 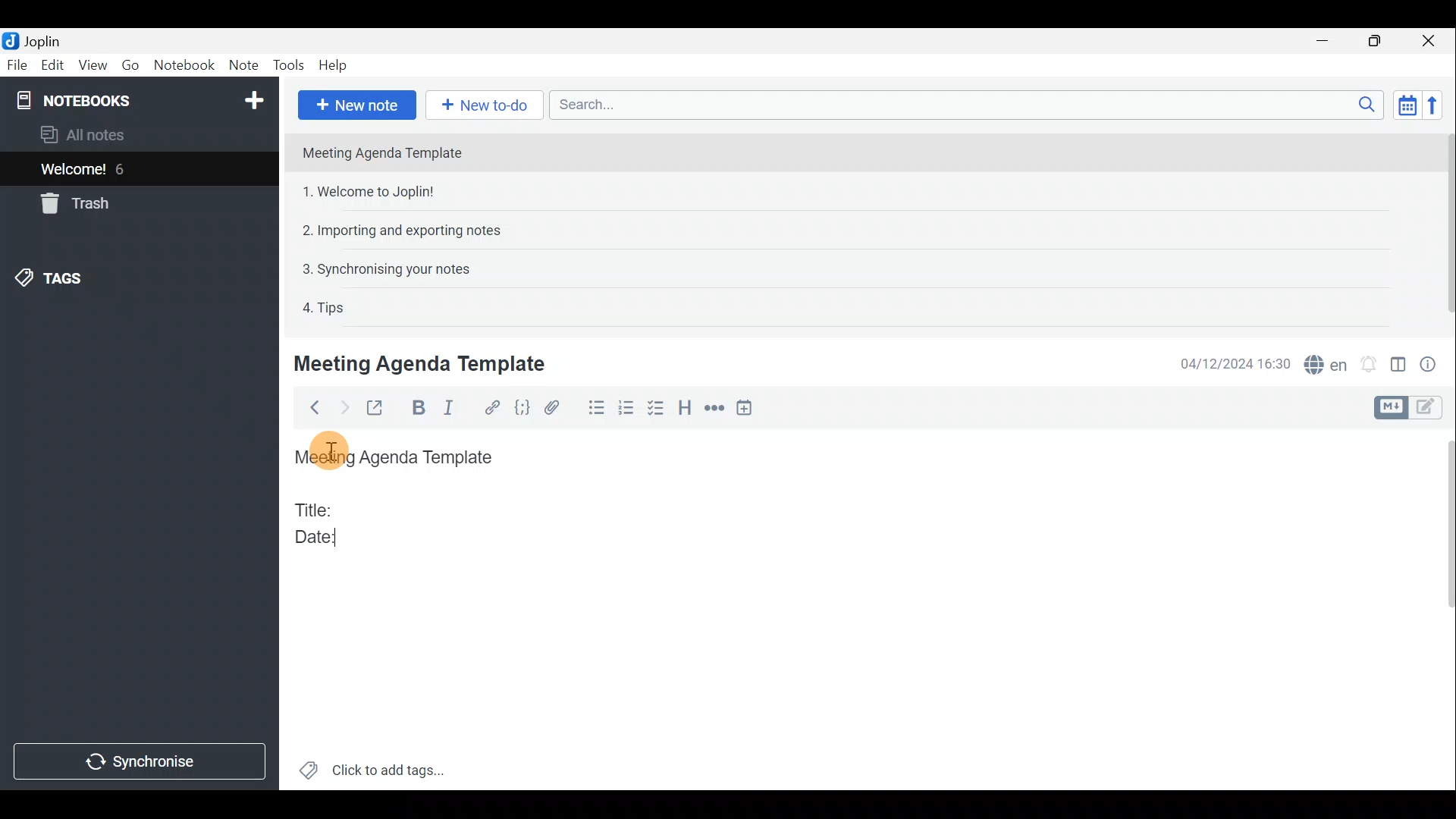 What do you see at coordinates (748, 410) in the screenshot?
I see `Insert time` at bounding box center [748, 410].